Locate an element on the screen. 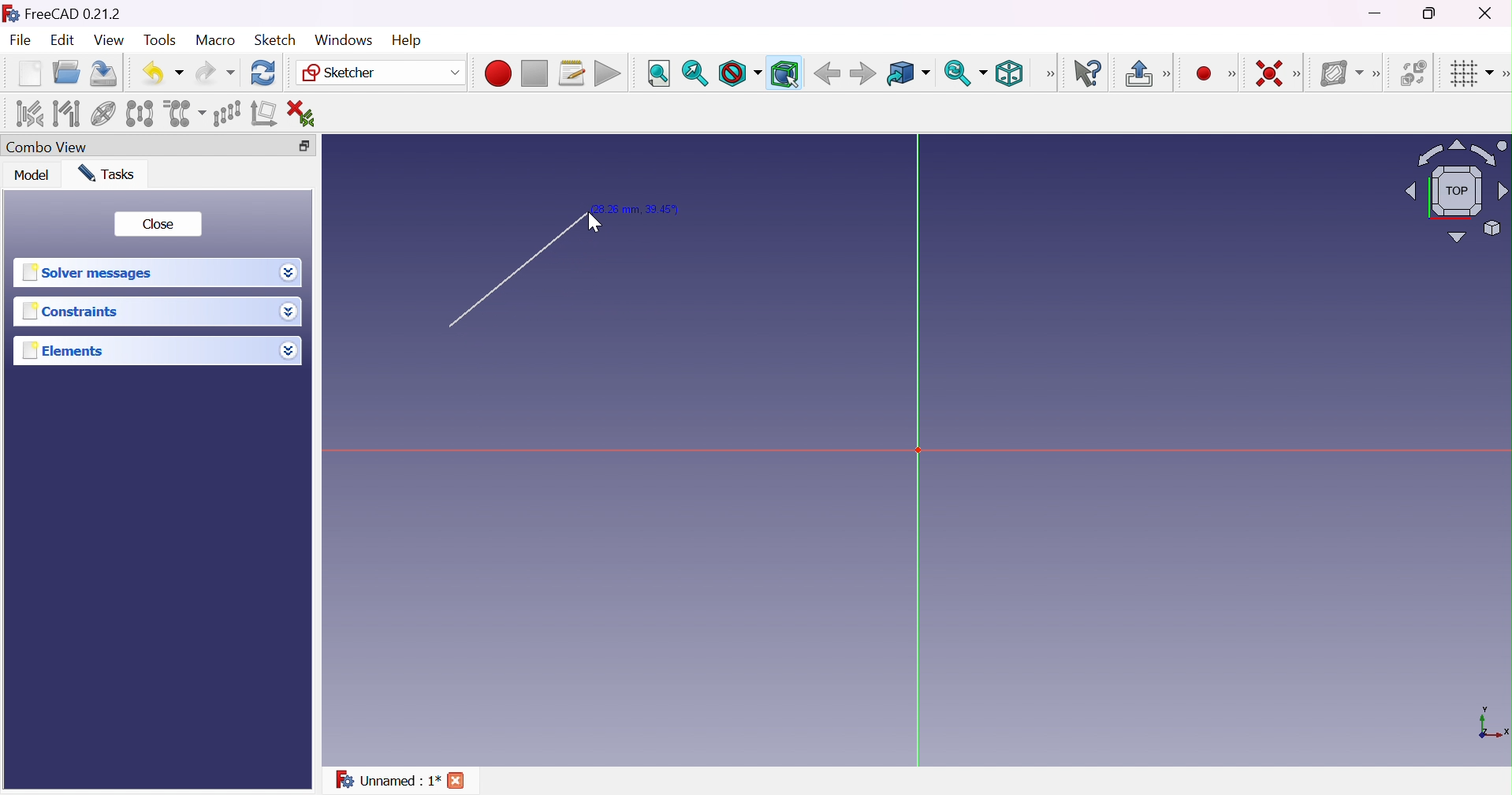 The height and width of the screenshot is (795, 1512). Unnamed : 1* is located at coordinates (388, 782).